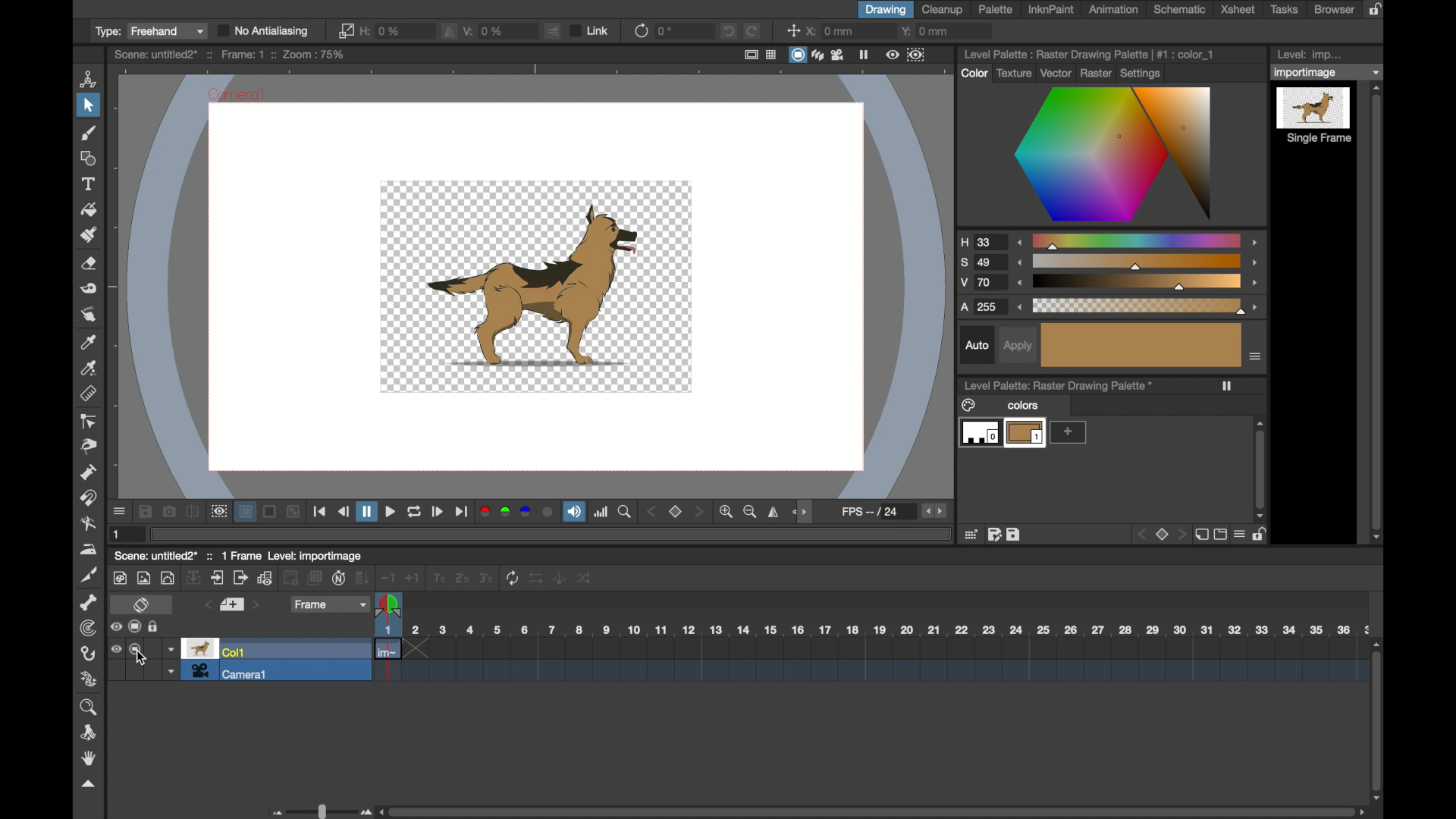 The height and width of the screenshot is (819, 1456). I want to click on +1, so click(413, 578).